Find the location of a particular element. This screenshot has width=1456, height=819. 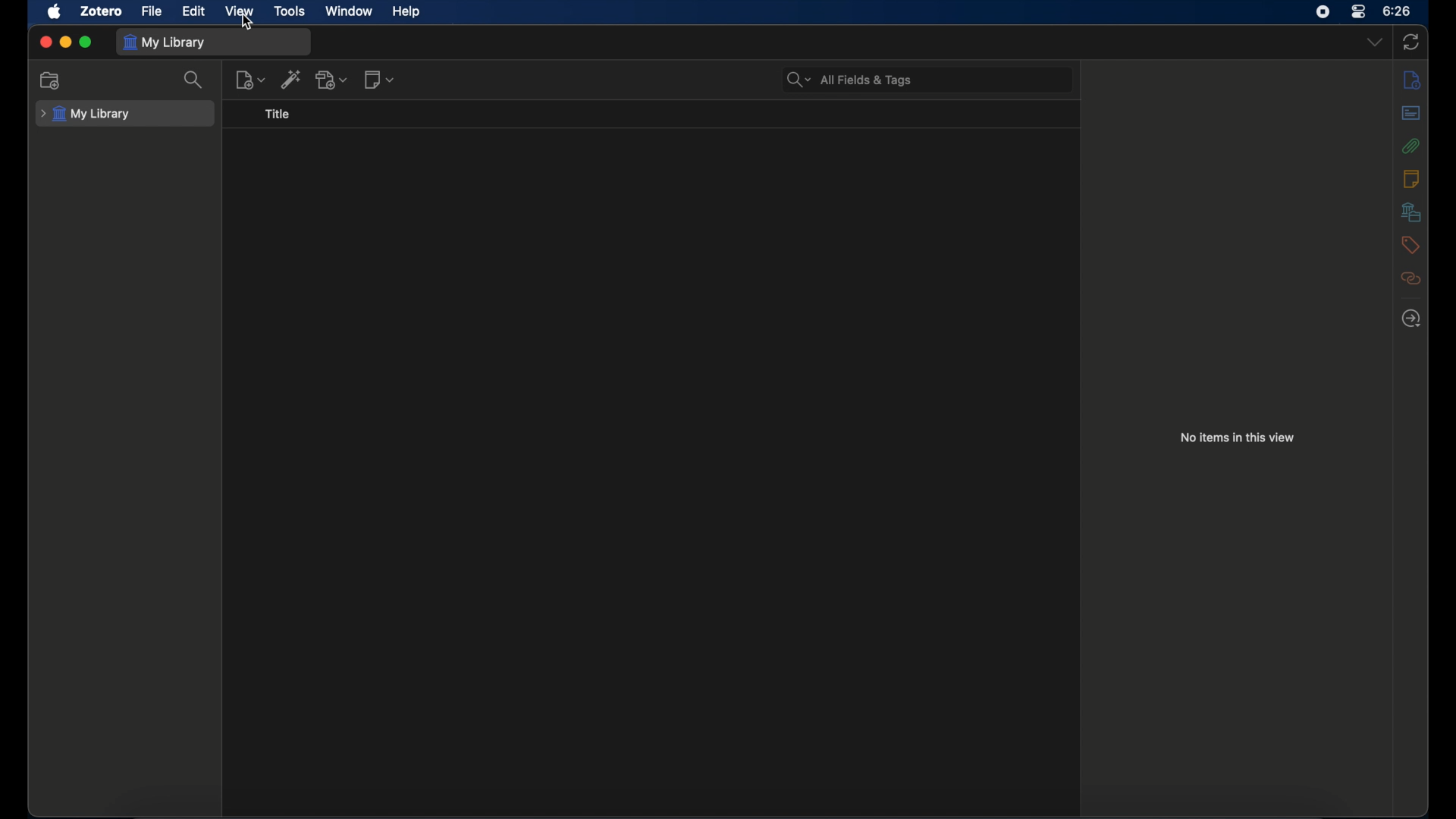

my library is located at coordinates (167, 42).